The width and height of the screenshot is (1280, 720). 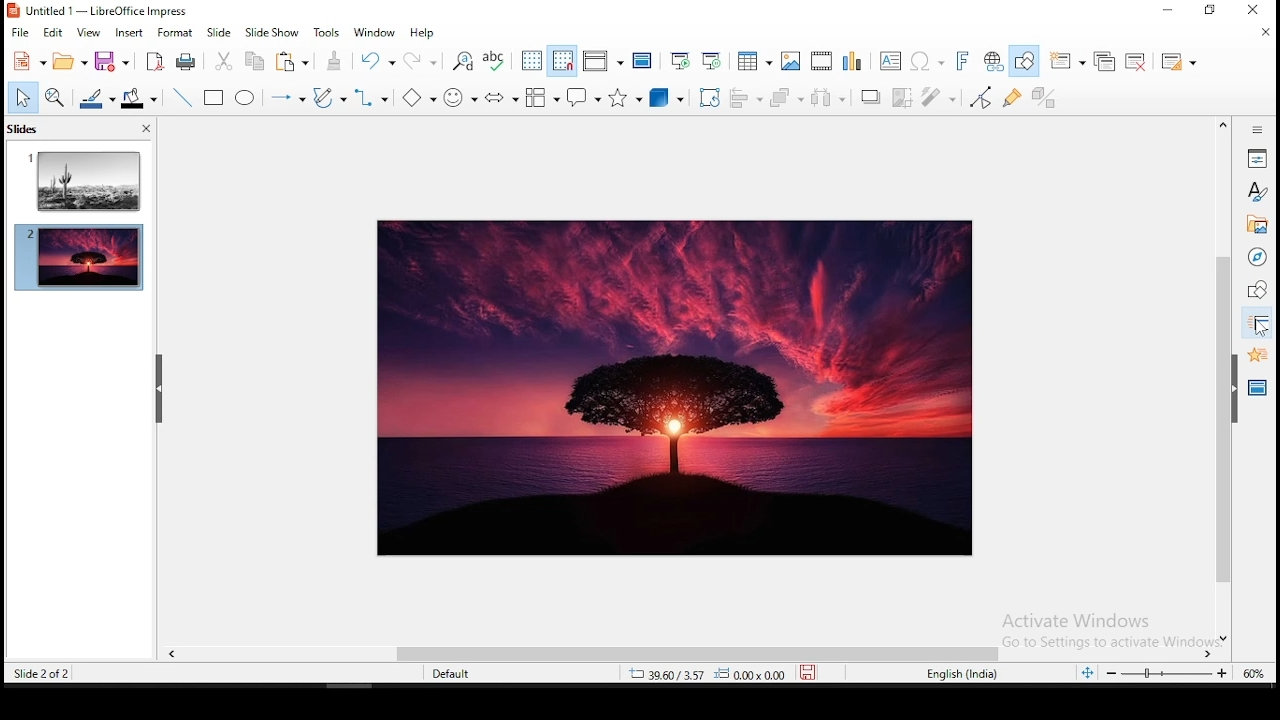 I want to click on show gluepoint functions, so click(x=1012, y=98).